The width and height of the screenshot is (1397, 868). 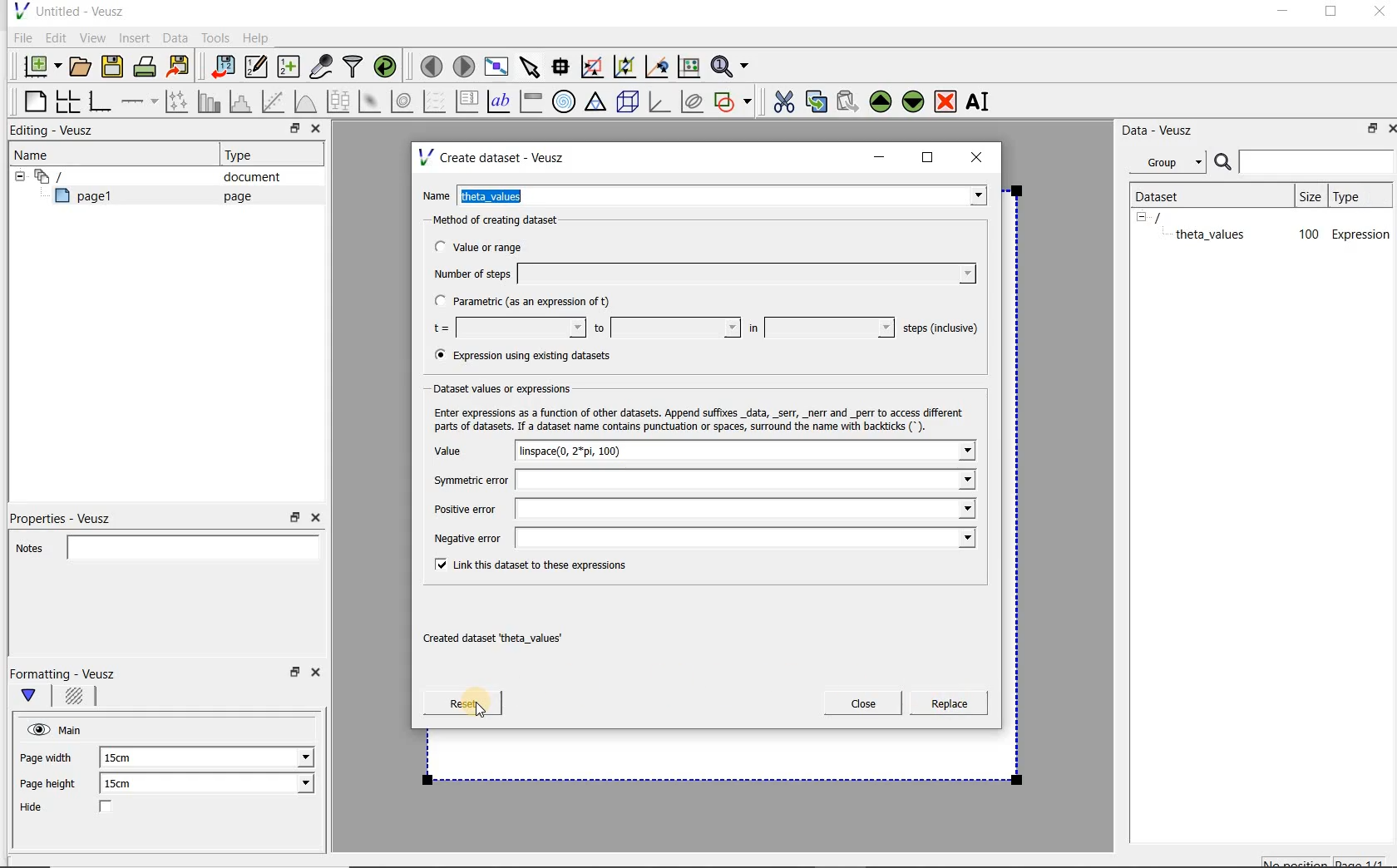 What do you see at coordinates (471, 701) in the screenshot?
I see `Cursor` at bounding box center [471, 701].